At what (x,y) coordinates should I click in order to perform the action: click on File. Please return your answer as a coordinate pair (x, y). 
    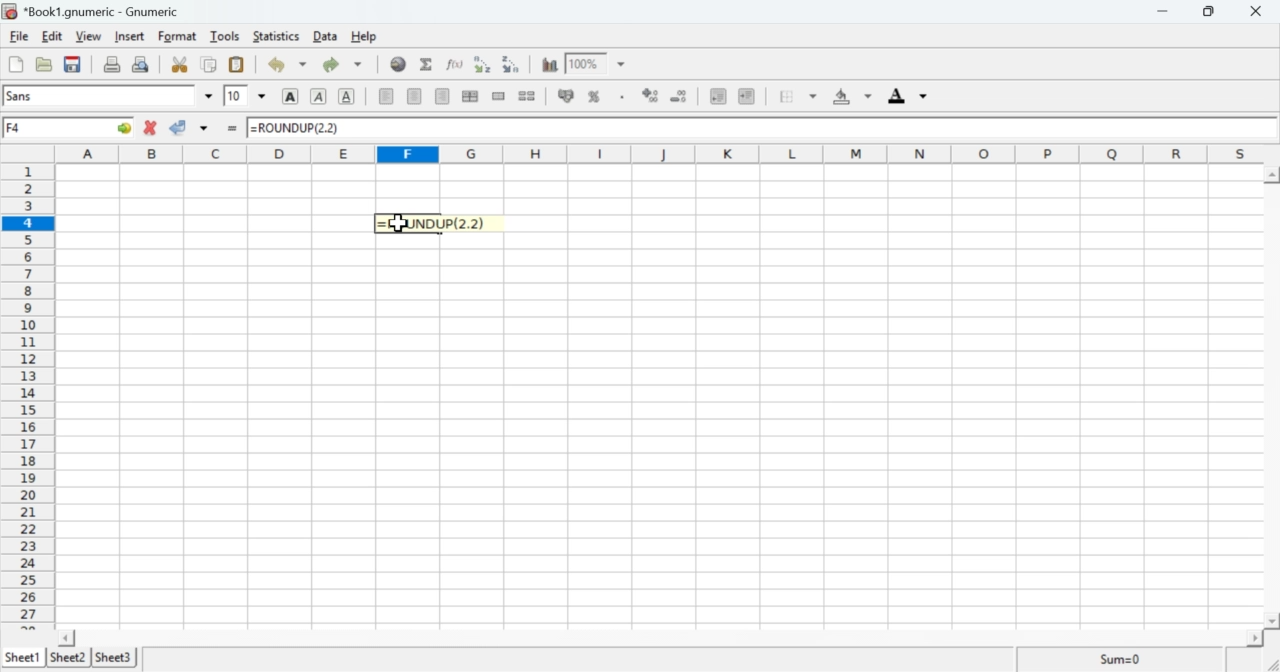
    Looking at the image, I should click on (21, 36).